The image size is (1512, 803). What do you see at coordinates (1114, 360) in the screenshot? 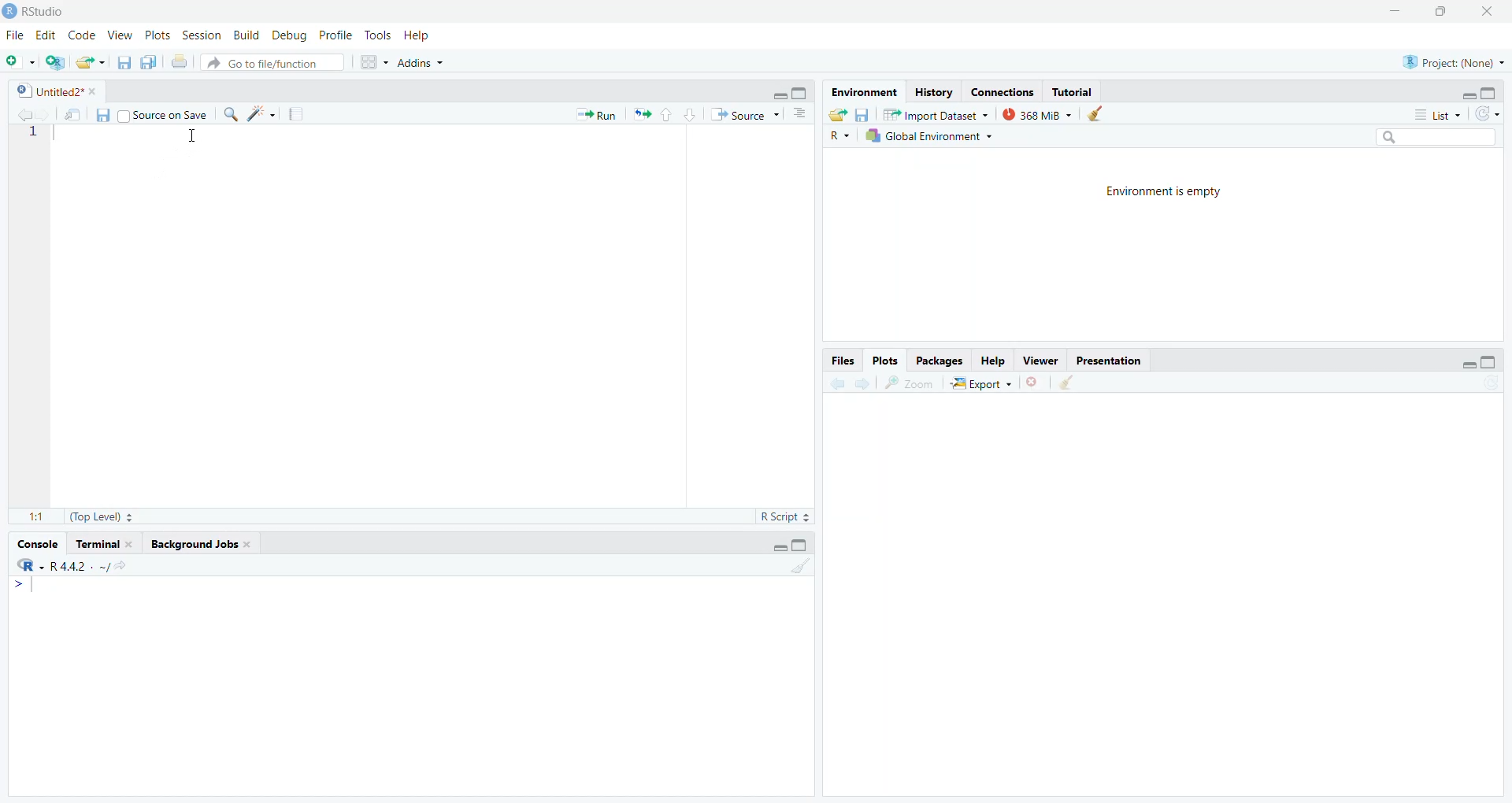
I see `Presentation` at bounding box center [1114, 360].